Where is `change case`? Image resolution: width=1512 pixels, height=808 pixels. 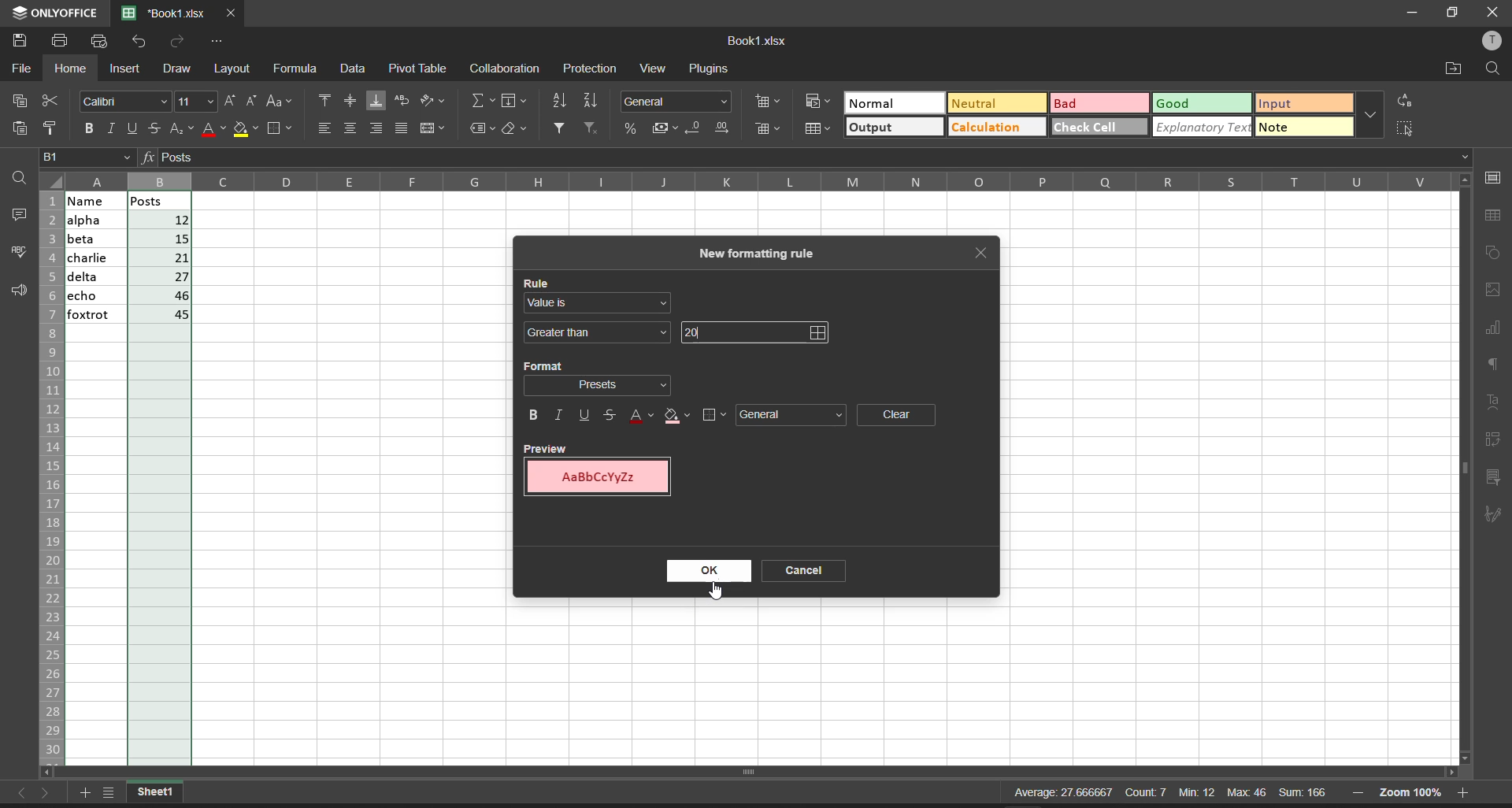
change case is located at coordinates (280, 102).